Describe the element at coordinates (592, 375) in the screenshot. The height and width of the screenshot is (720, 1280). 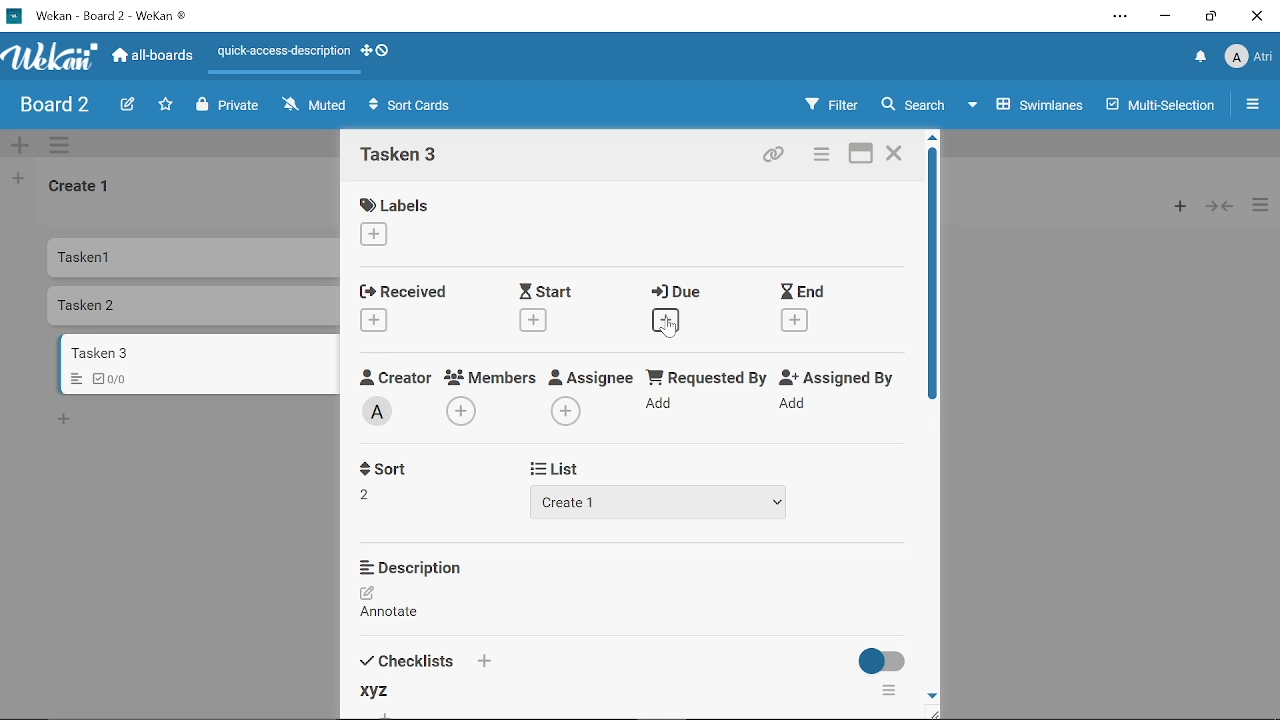
I see `Assignee` at that location.